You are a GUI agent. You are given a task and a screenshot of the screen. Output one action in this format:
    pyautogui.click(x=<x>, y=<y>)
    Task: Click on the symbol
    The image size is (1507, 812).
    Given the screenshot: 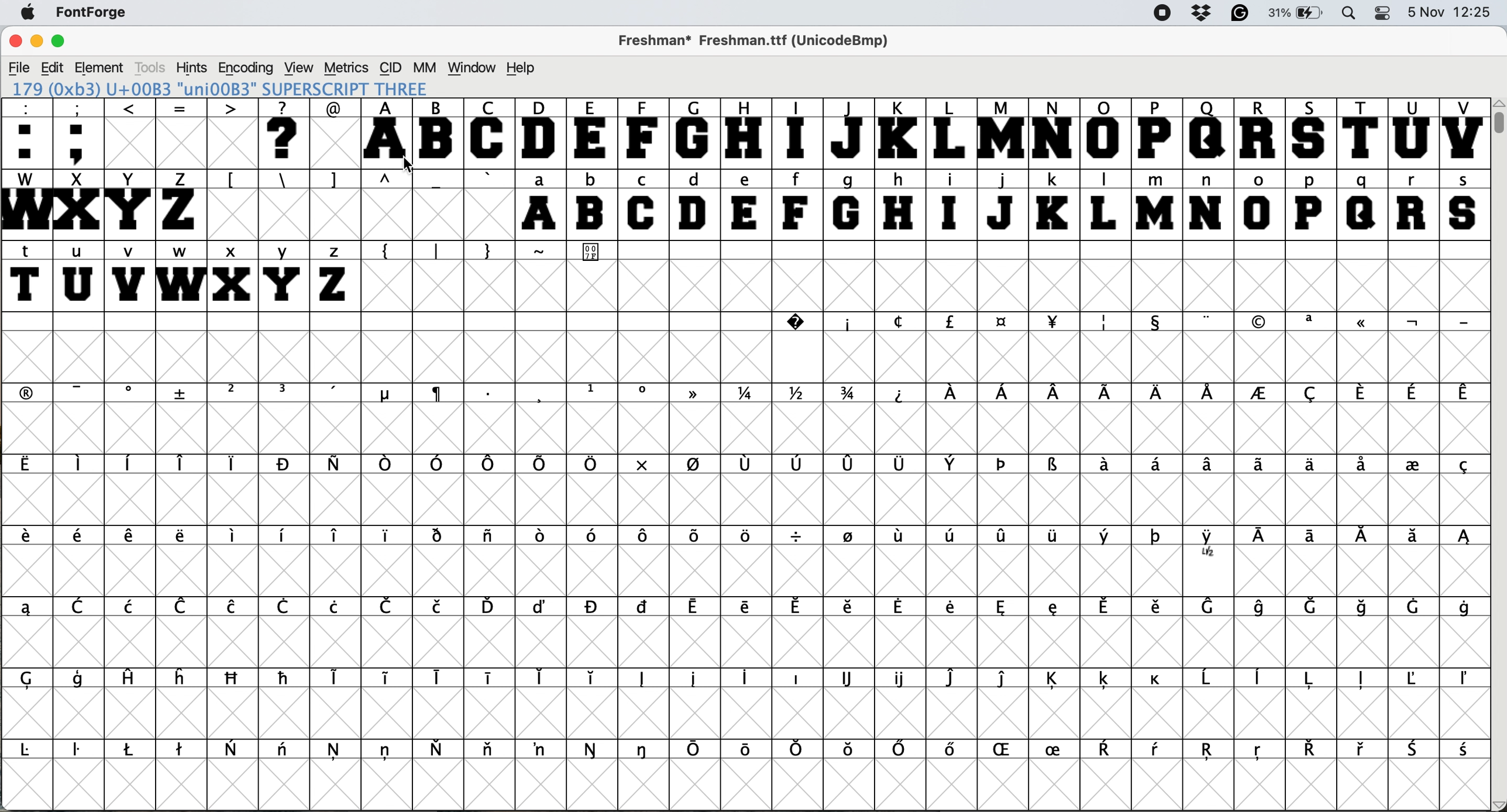 What is the action you would take?
    pyautogui.click(x=1259, y=753)
    